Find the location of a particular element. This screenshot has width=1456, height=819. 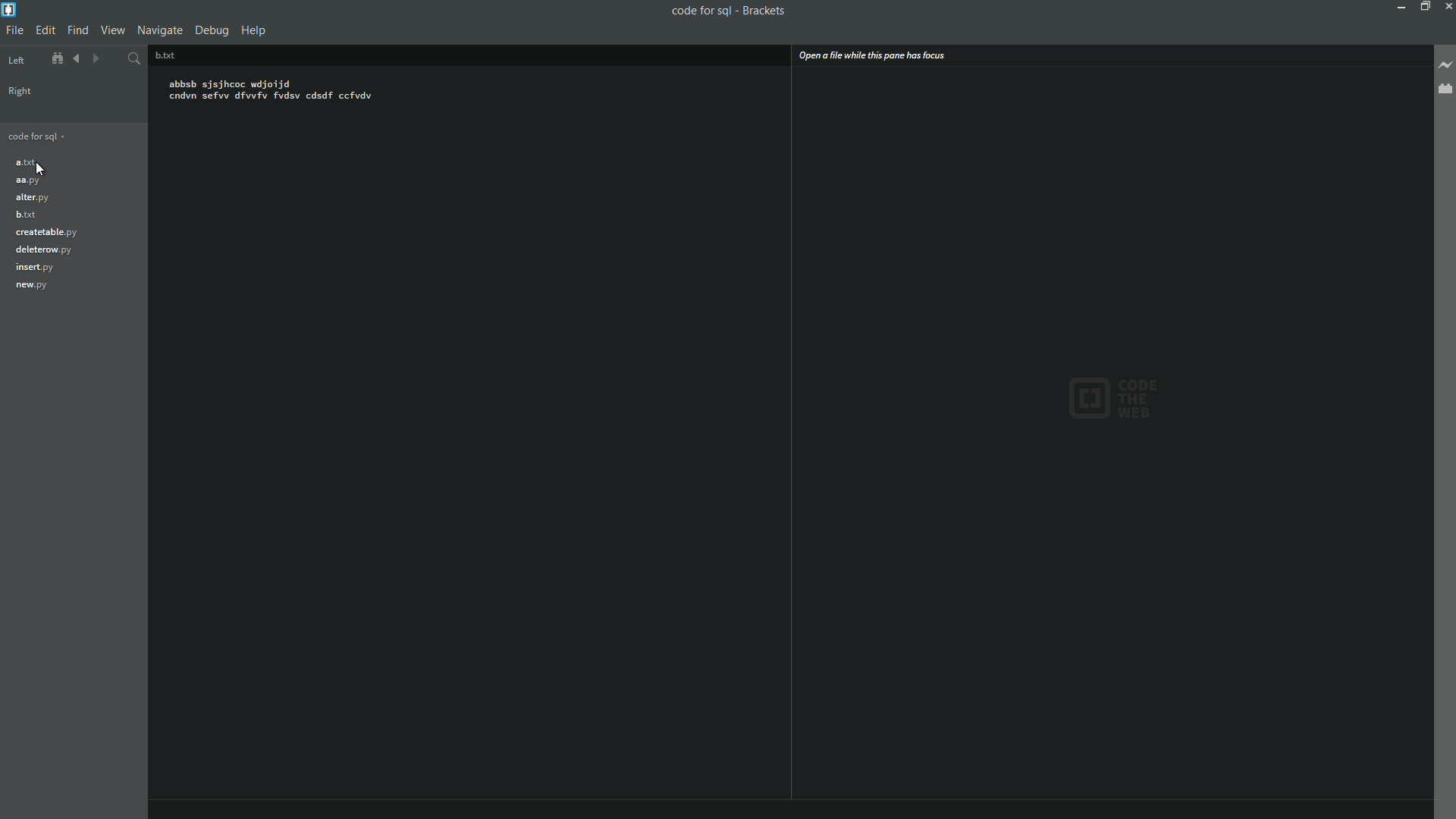

a.txt is located at coordinates (26, 162).